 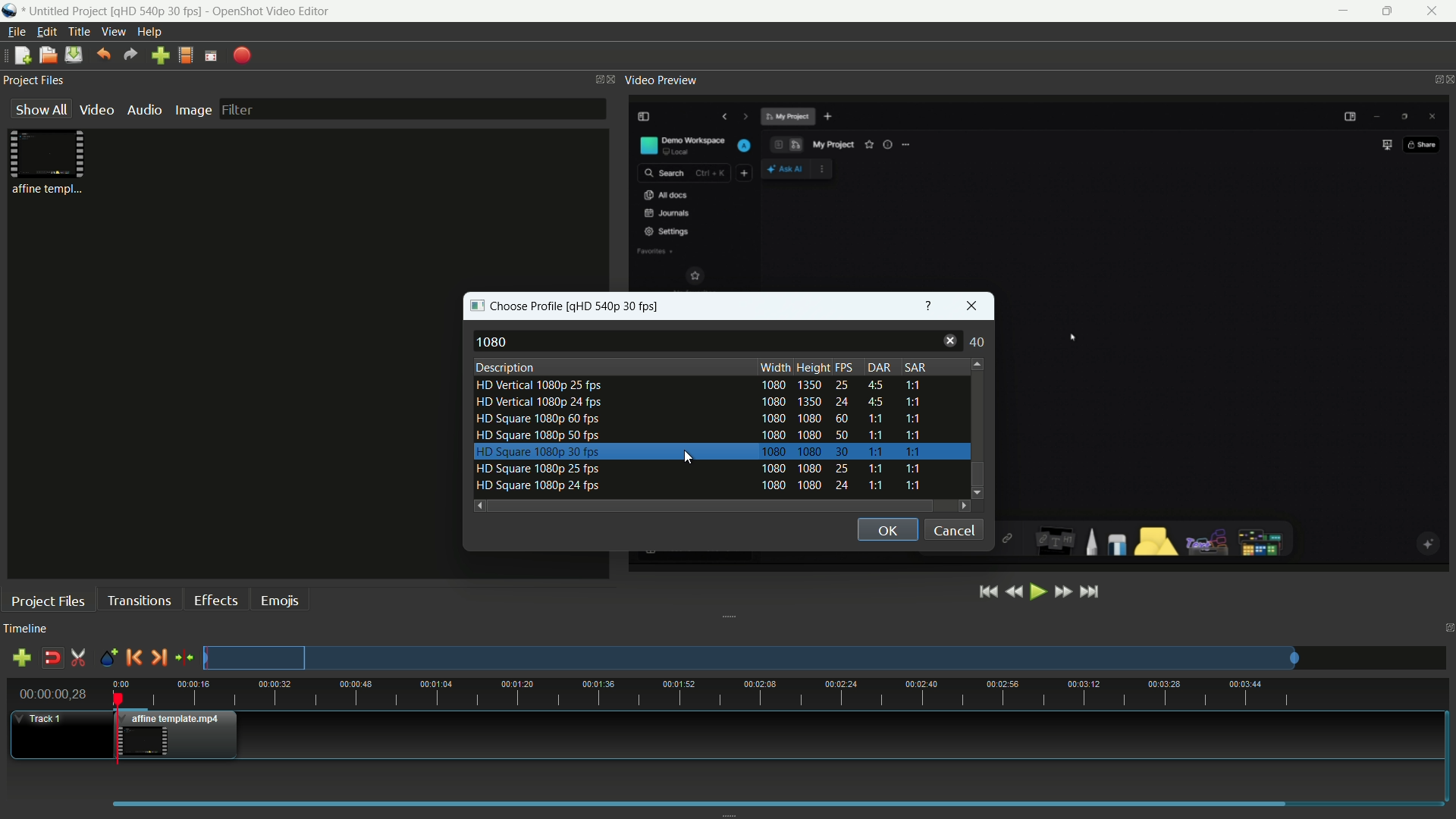 What do you see at coordinates (146, 109) in the screenshot?
I see `audio` at bounding box center [146, 109].